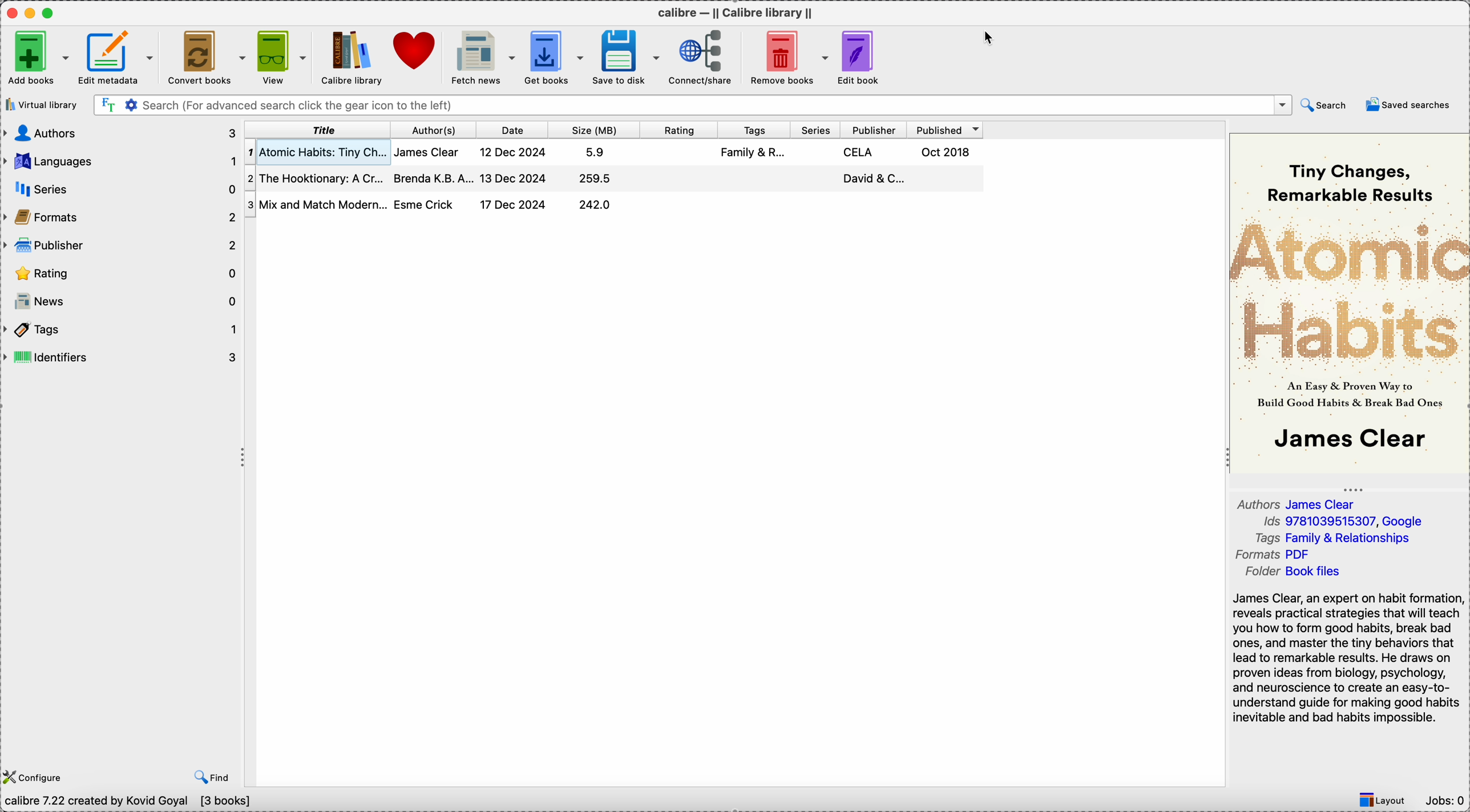 Image resolution: width=1470 pixels, height=812 pixels. What do you see at coordinates (597, 129) in the screenshot?
I see `size` at bounding box center [597, 129].